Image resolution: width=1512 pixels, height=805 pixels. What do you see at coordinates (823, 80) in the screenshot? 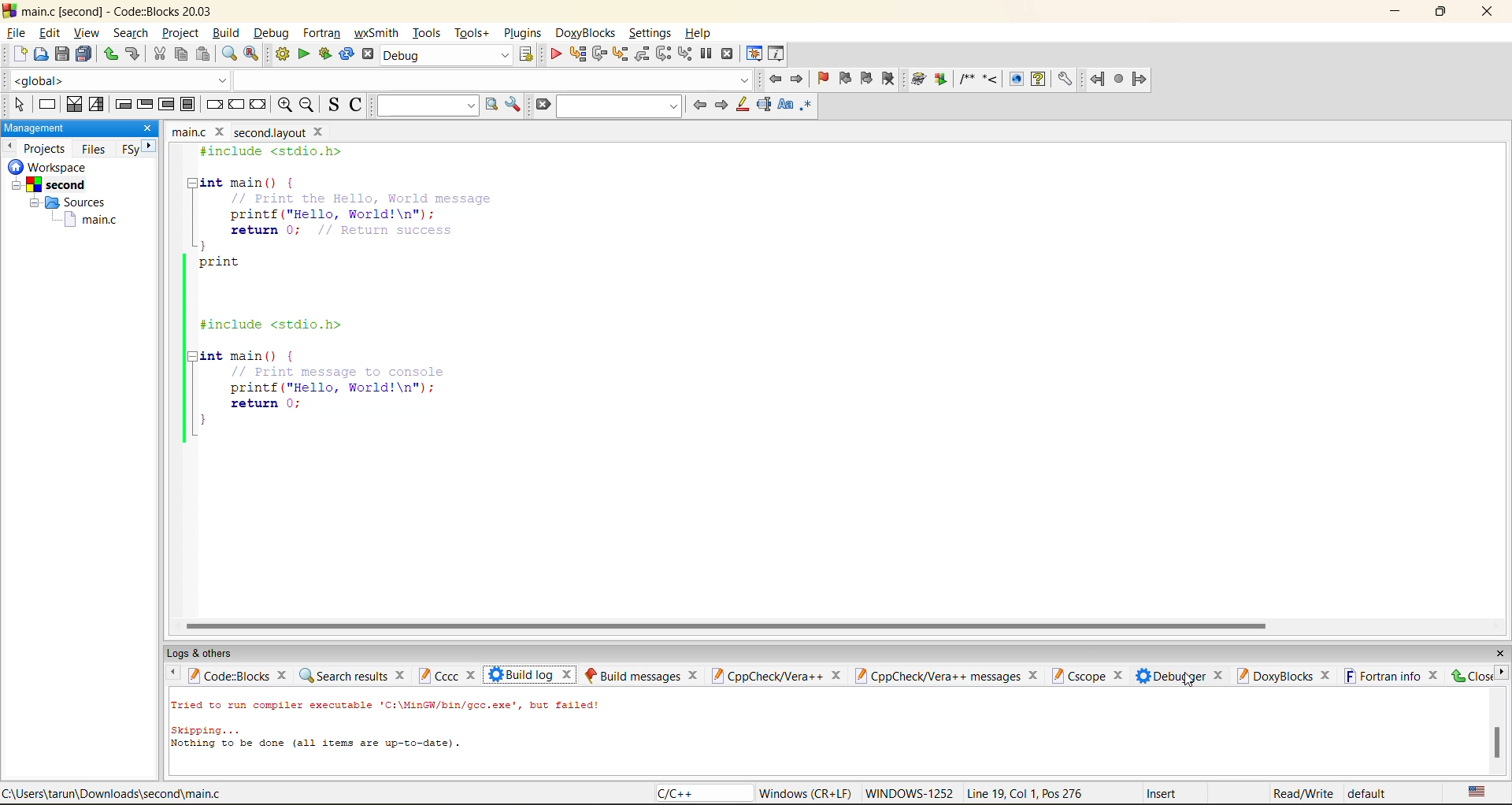
I see `toggle bookmark` at bounding box center [823, 80].